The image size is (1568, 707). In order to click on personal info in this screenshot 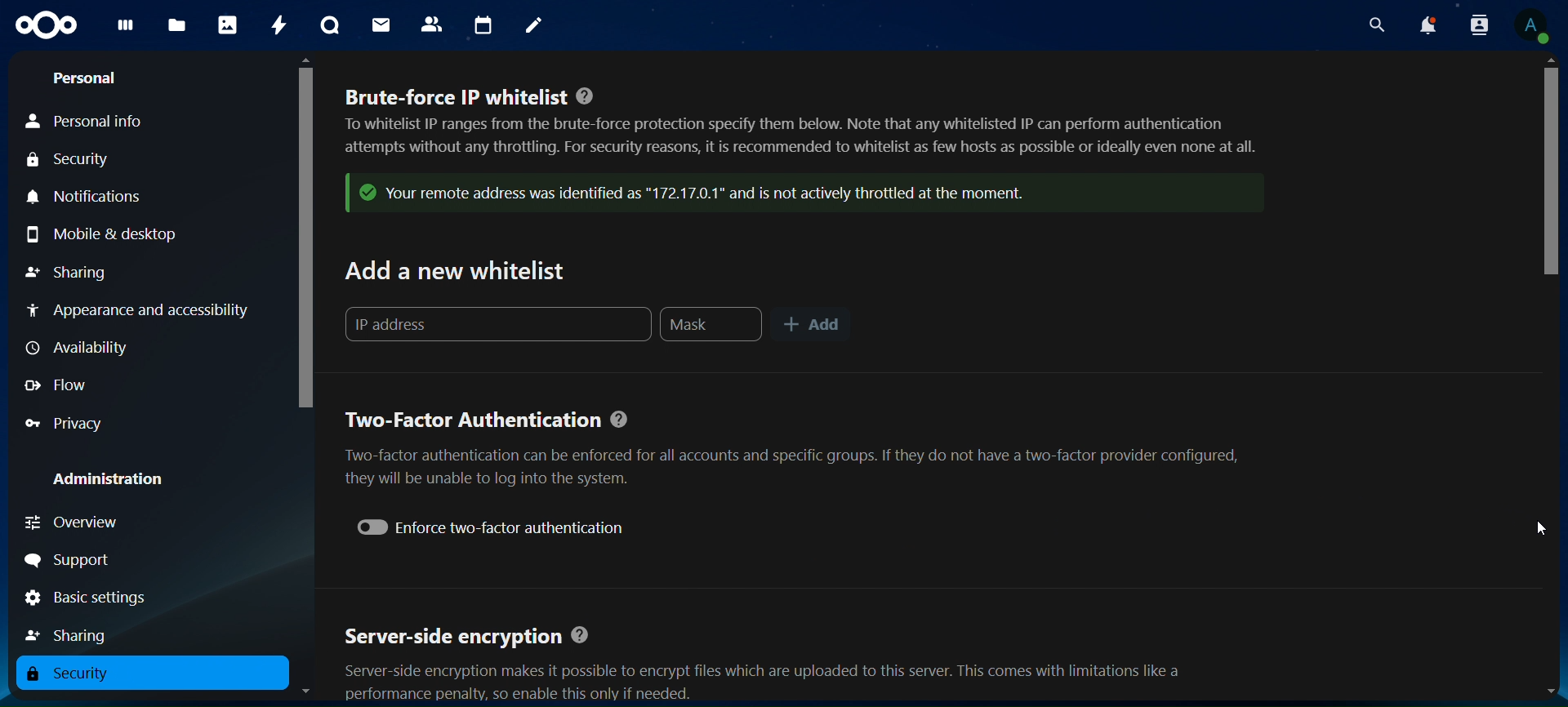, I will do `click(87, 122)`.